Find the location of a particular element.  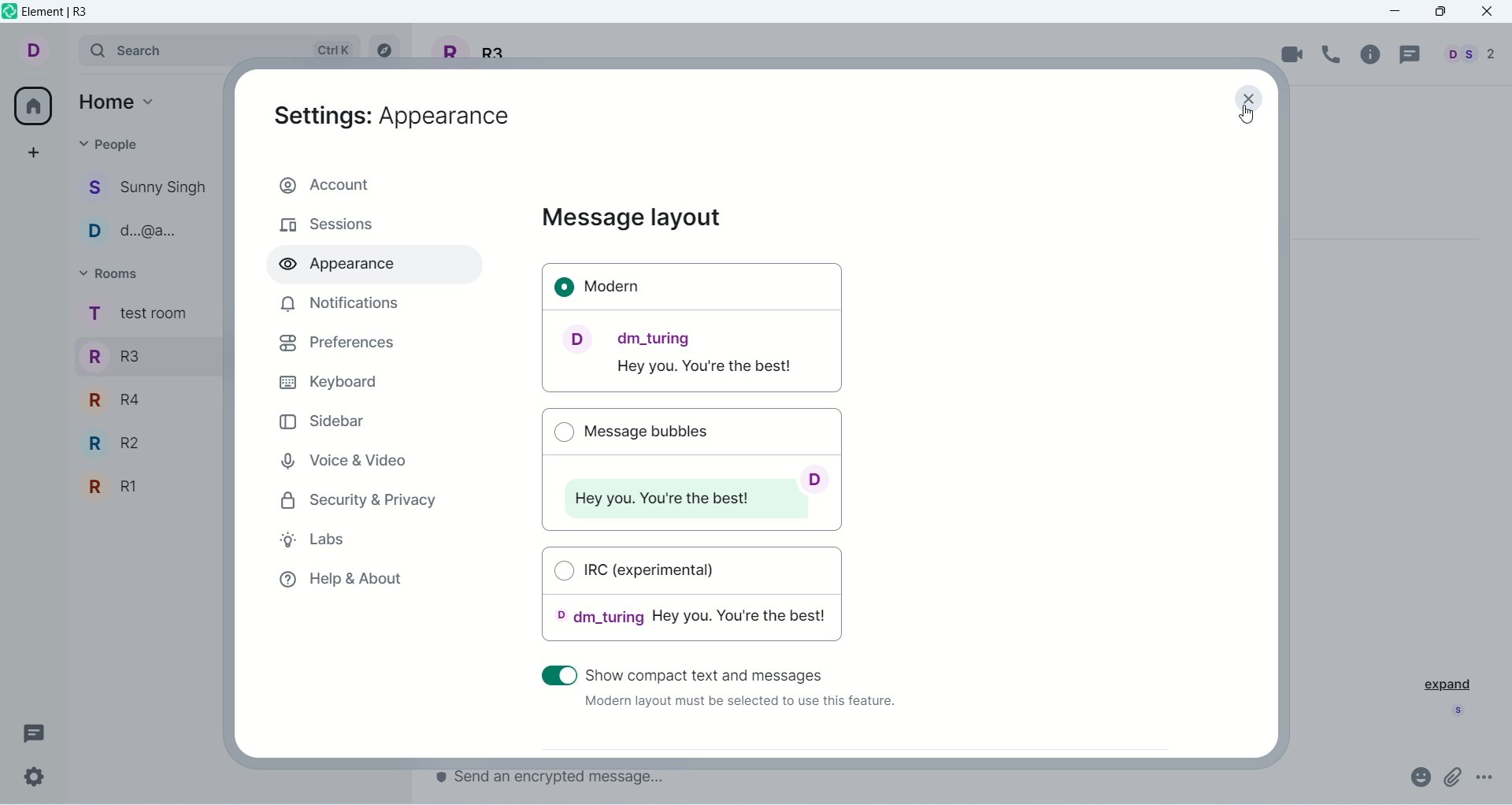

people is located at coordinates (147, 190).